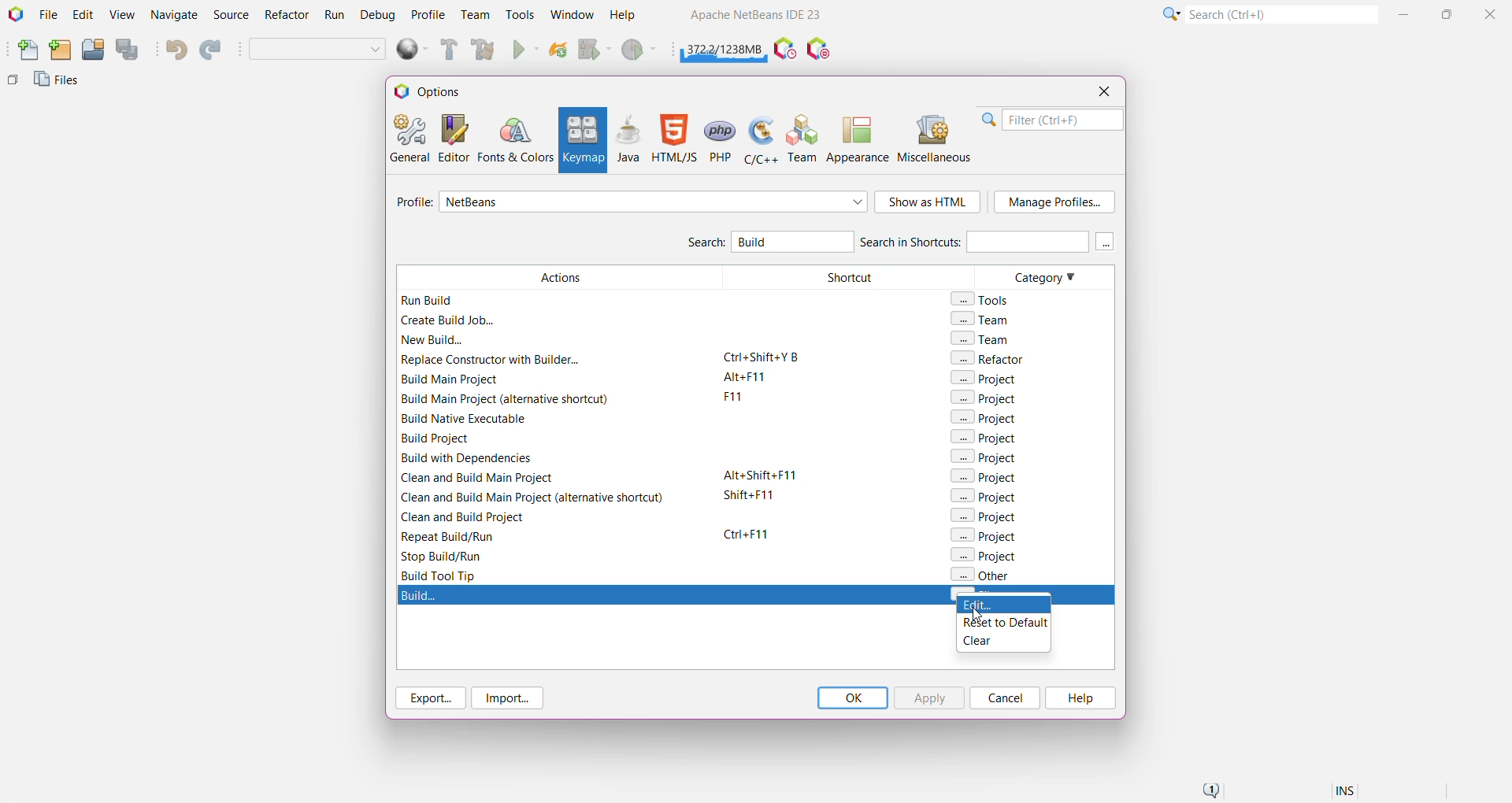  I want to click on Reset to Default, so click(1002, 624).